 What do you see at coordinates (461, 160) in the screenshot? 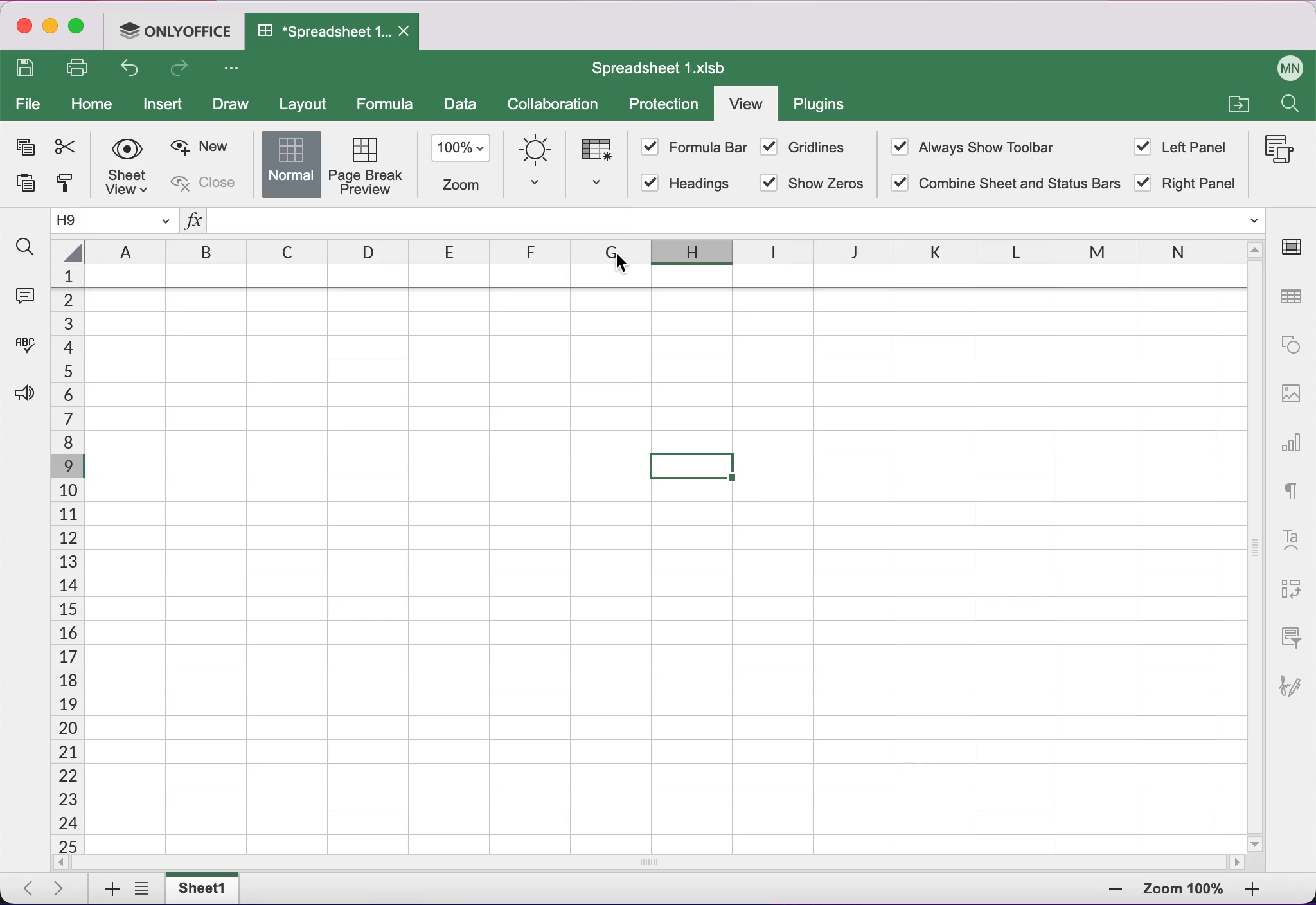
I see `recommended chart` at bounding box center [461, 160].